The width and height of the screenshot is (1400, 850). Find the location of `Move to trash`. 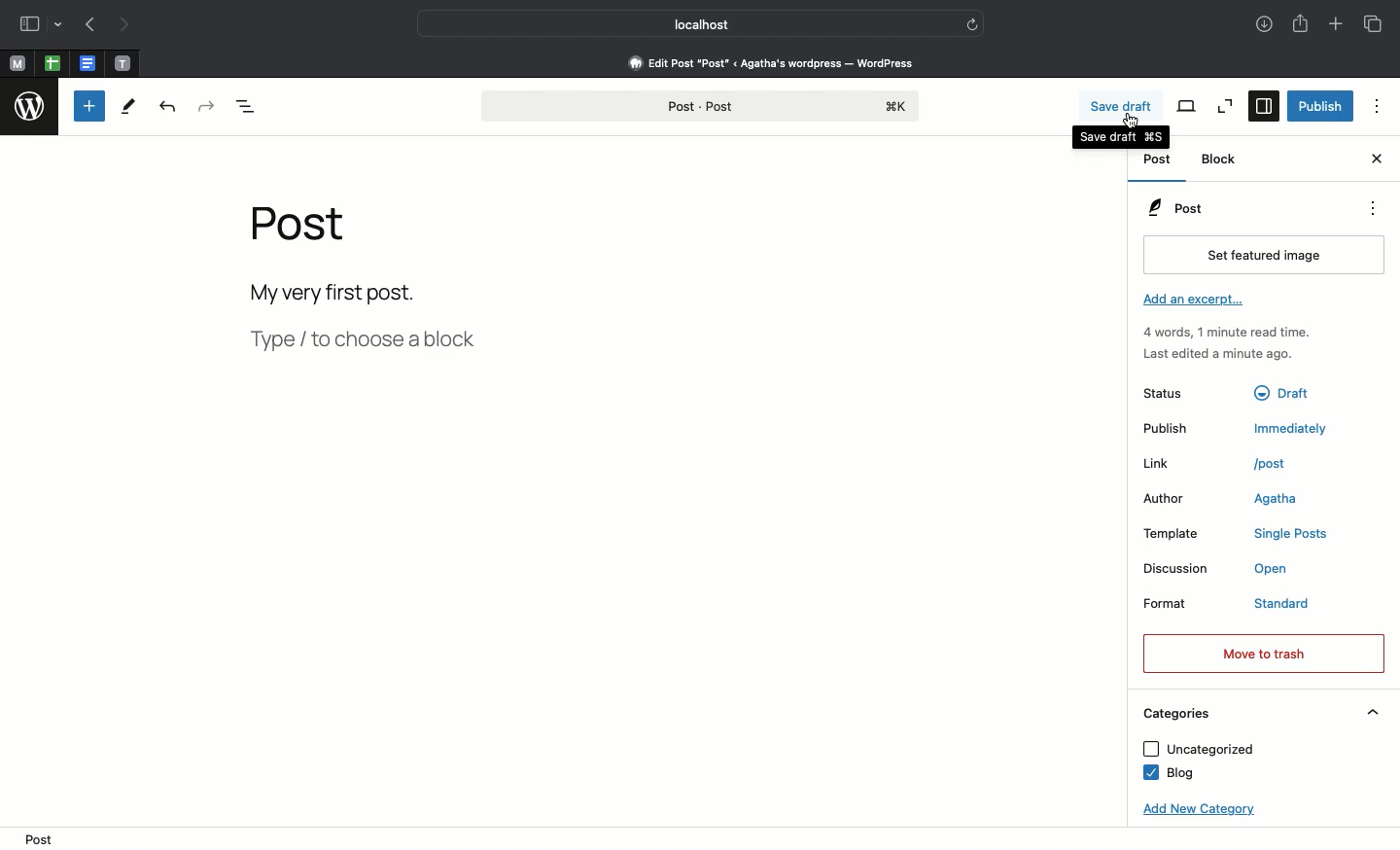

Move to trash is located at coordinates (1262, 654).